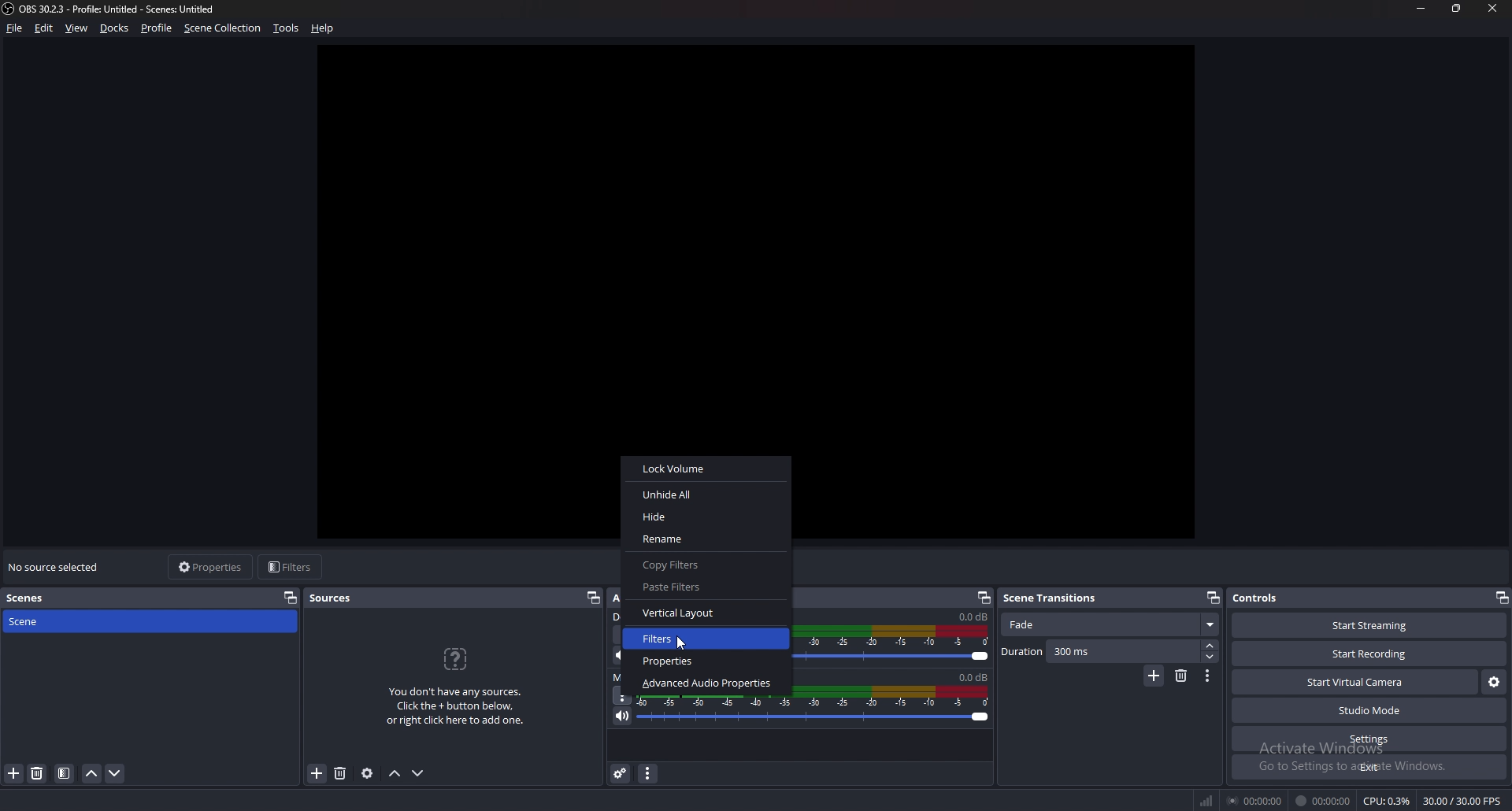  What do you see at coordinates (710, 682) in the screenshot?
I see `‘Advanced Audio Properties` at bounding box center [710, 682].